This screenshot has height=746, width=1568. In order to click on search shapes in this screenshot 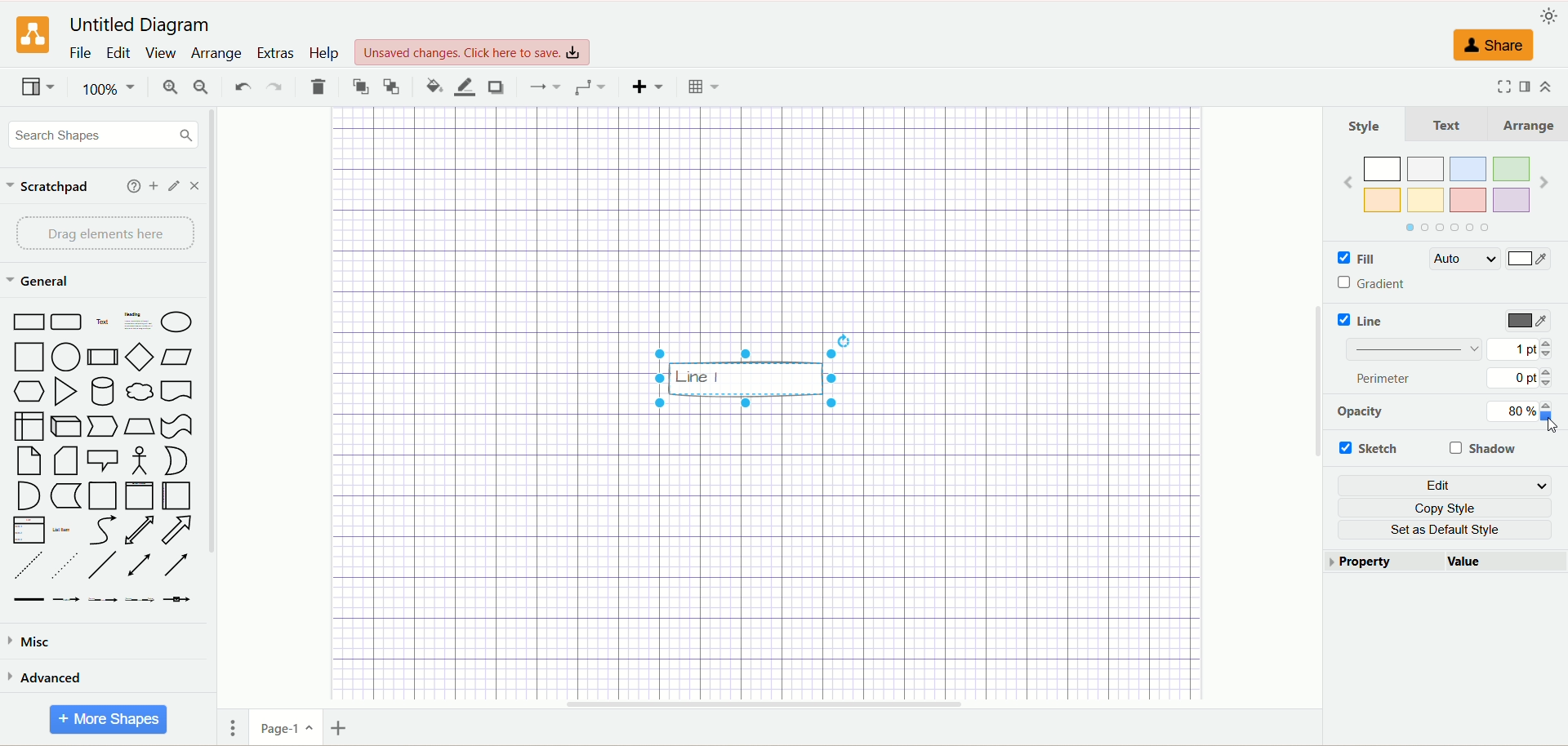, I will do `click(99, 134)`.